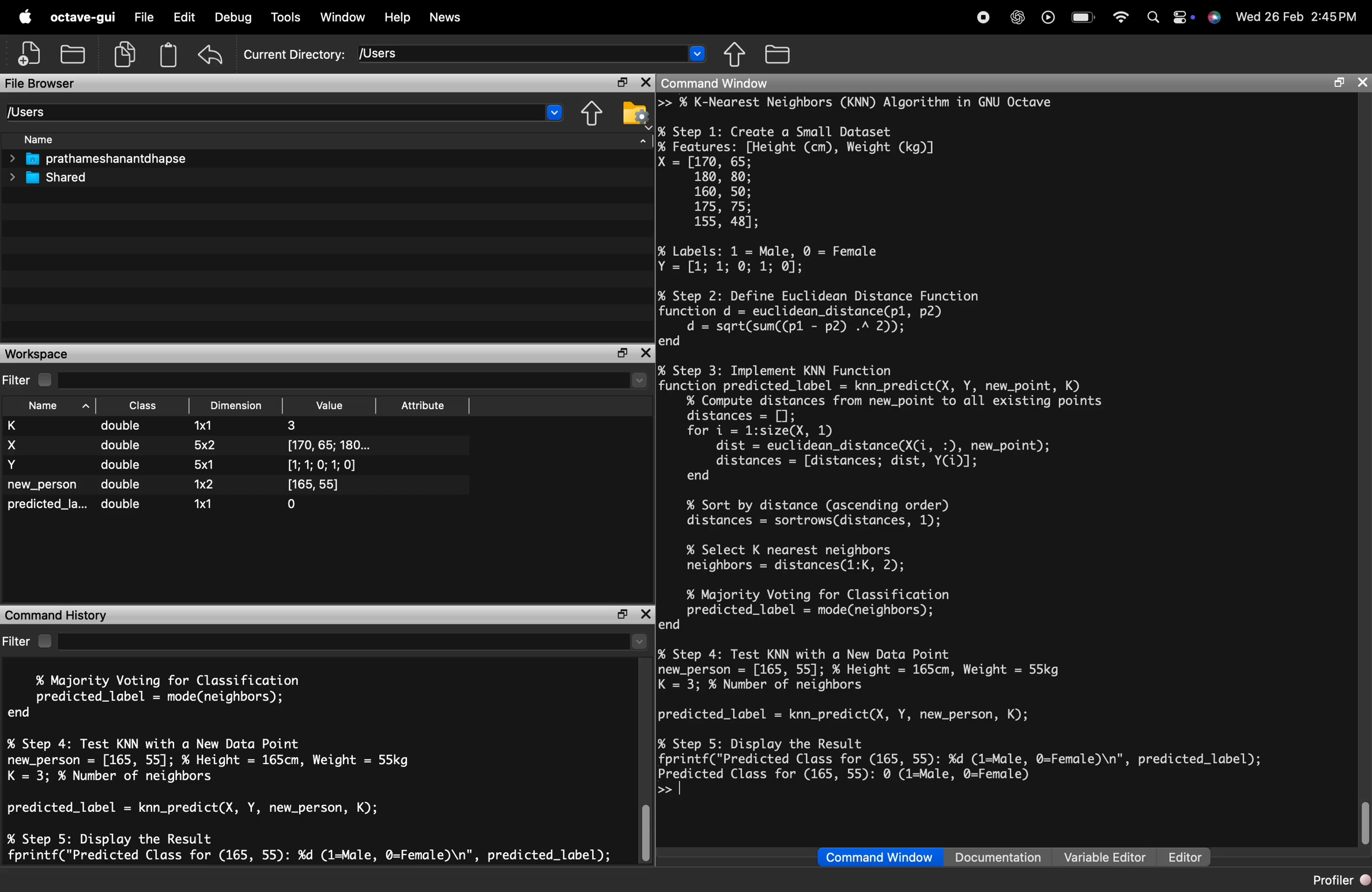  I want to click on files, so click(786, 52).